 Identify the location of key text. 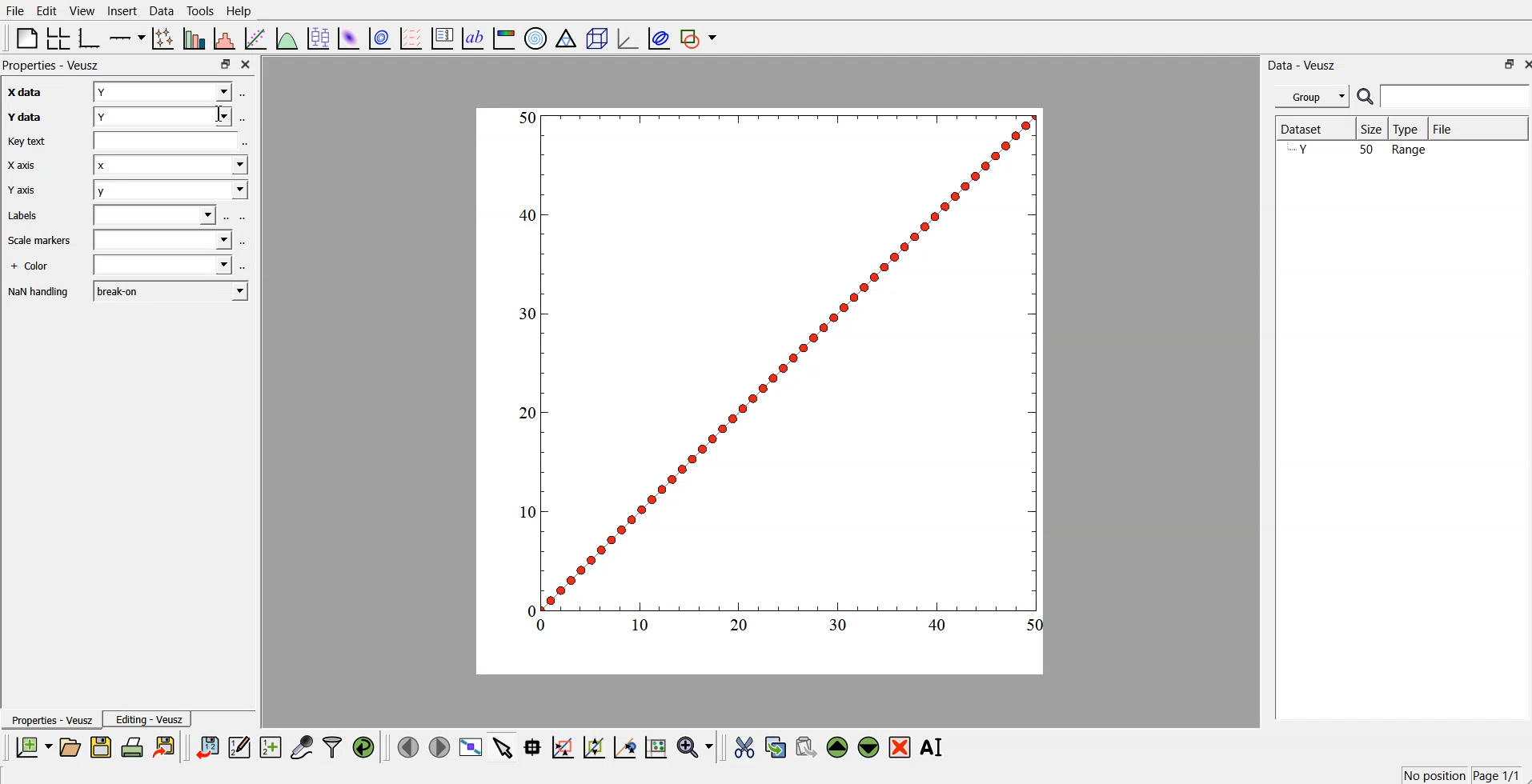
(38, 142).